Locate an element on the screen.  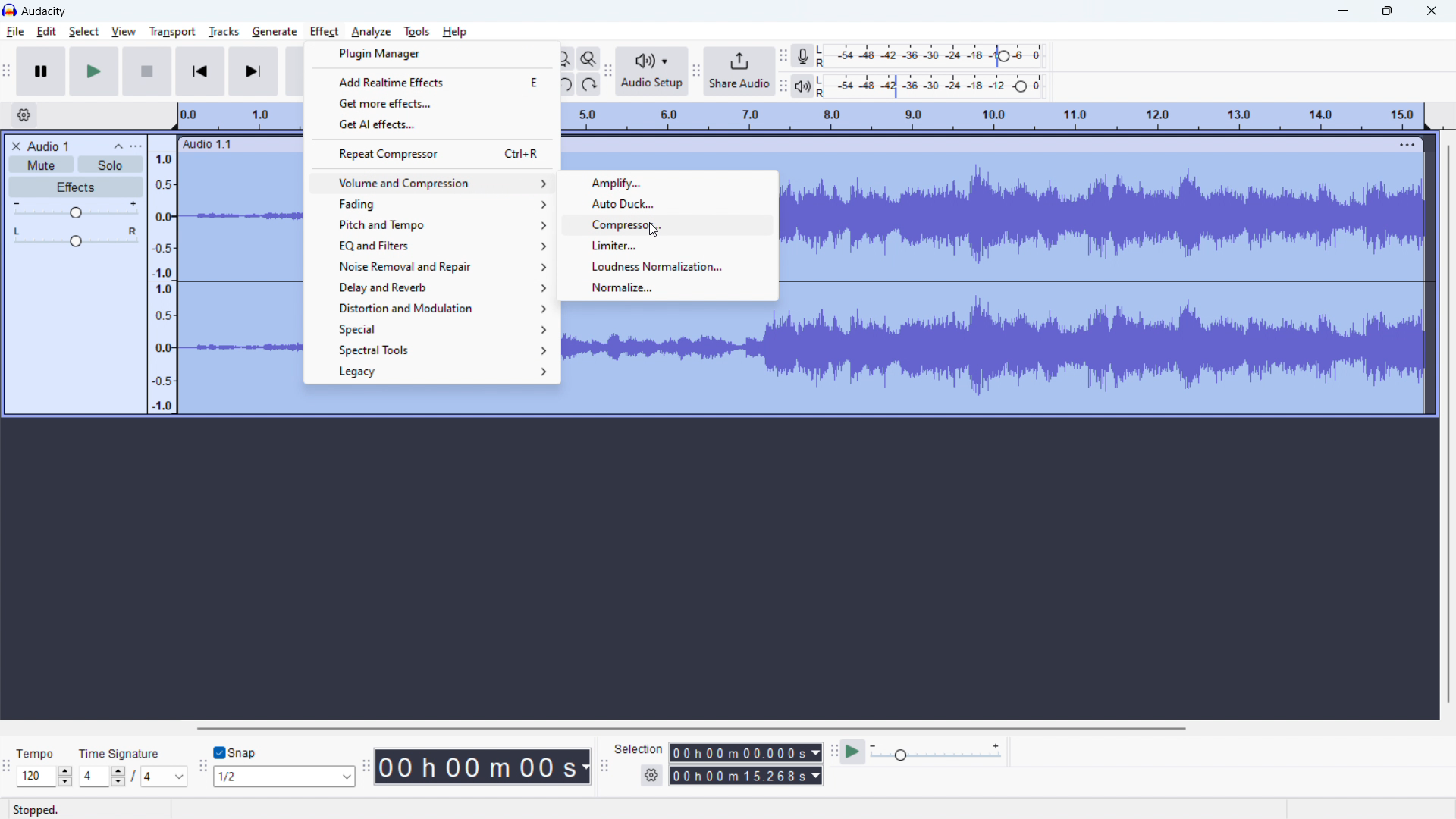
toggle zoom is located at coordinates (589, 58).